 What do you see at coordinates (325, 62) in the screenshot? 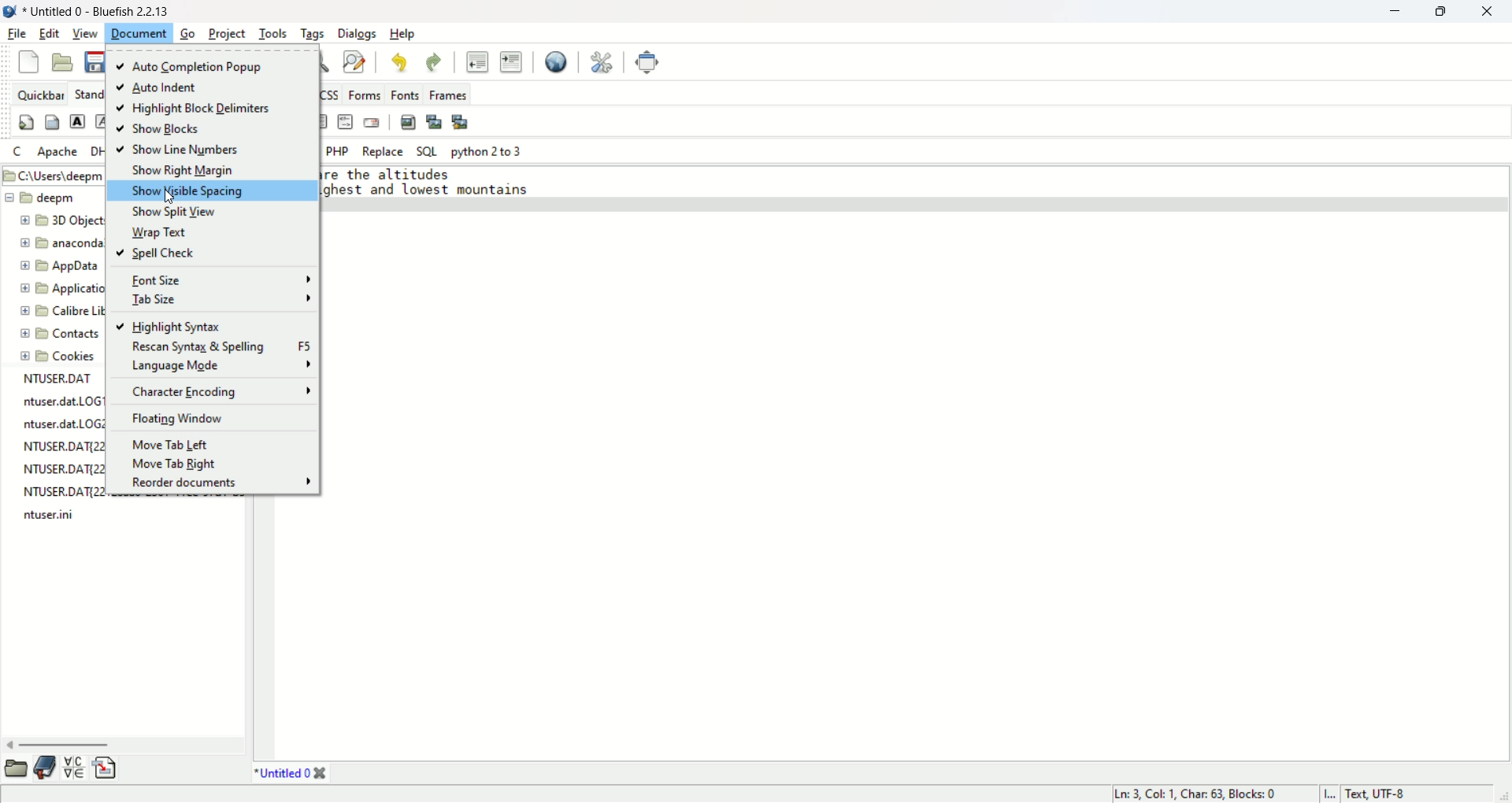
I see `show find bar` at bounding box center [325, 62].